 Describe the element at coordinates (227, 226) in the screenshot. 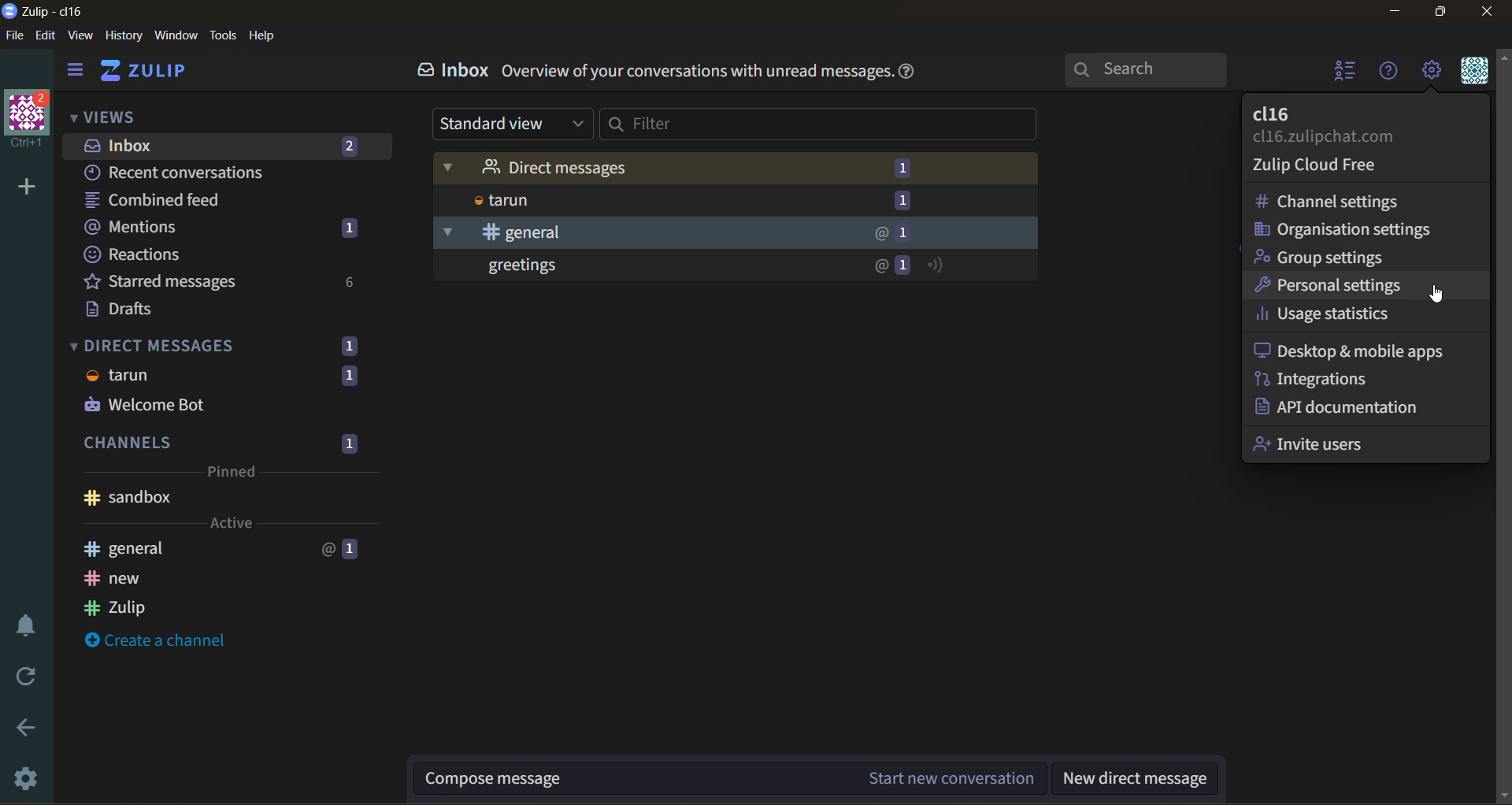

I see `mentions` at that location.